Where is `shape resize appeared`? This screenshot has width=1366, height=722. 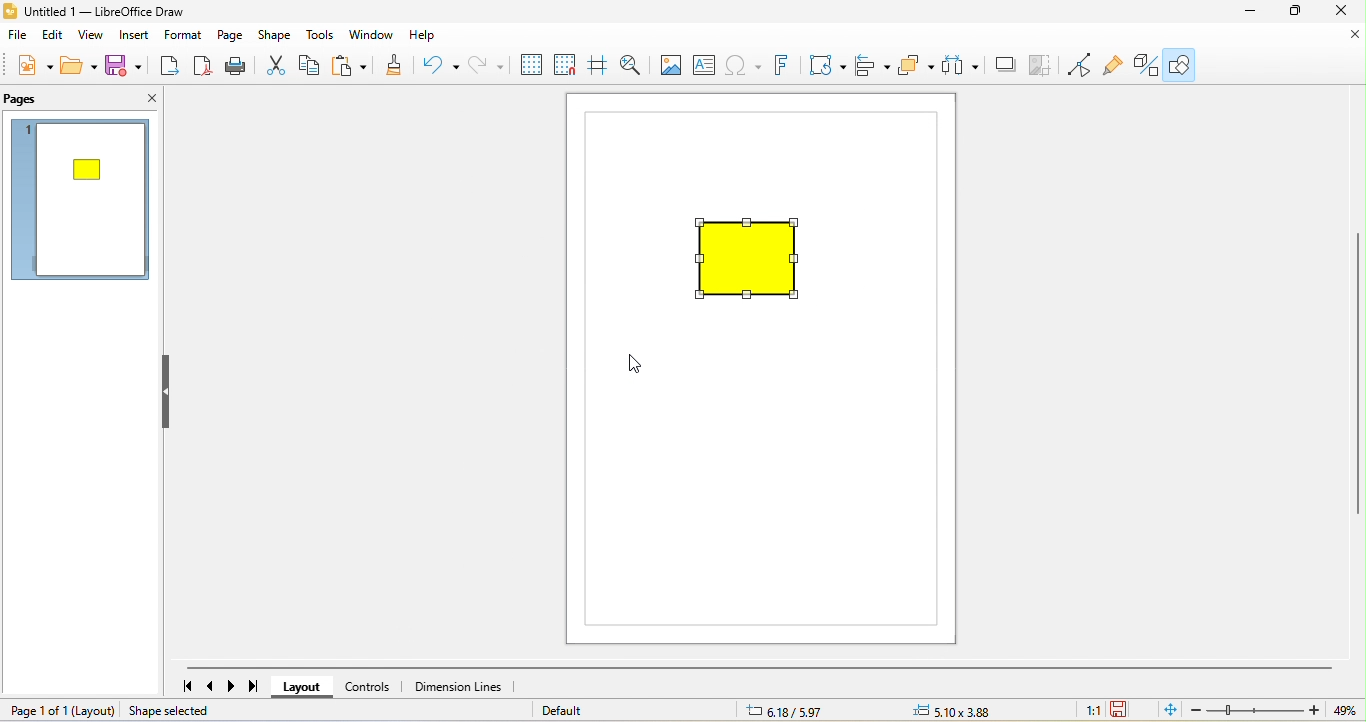 shape resize appeared is located at coordinates (83, 167).